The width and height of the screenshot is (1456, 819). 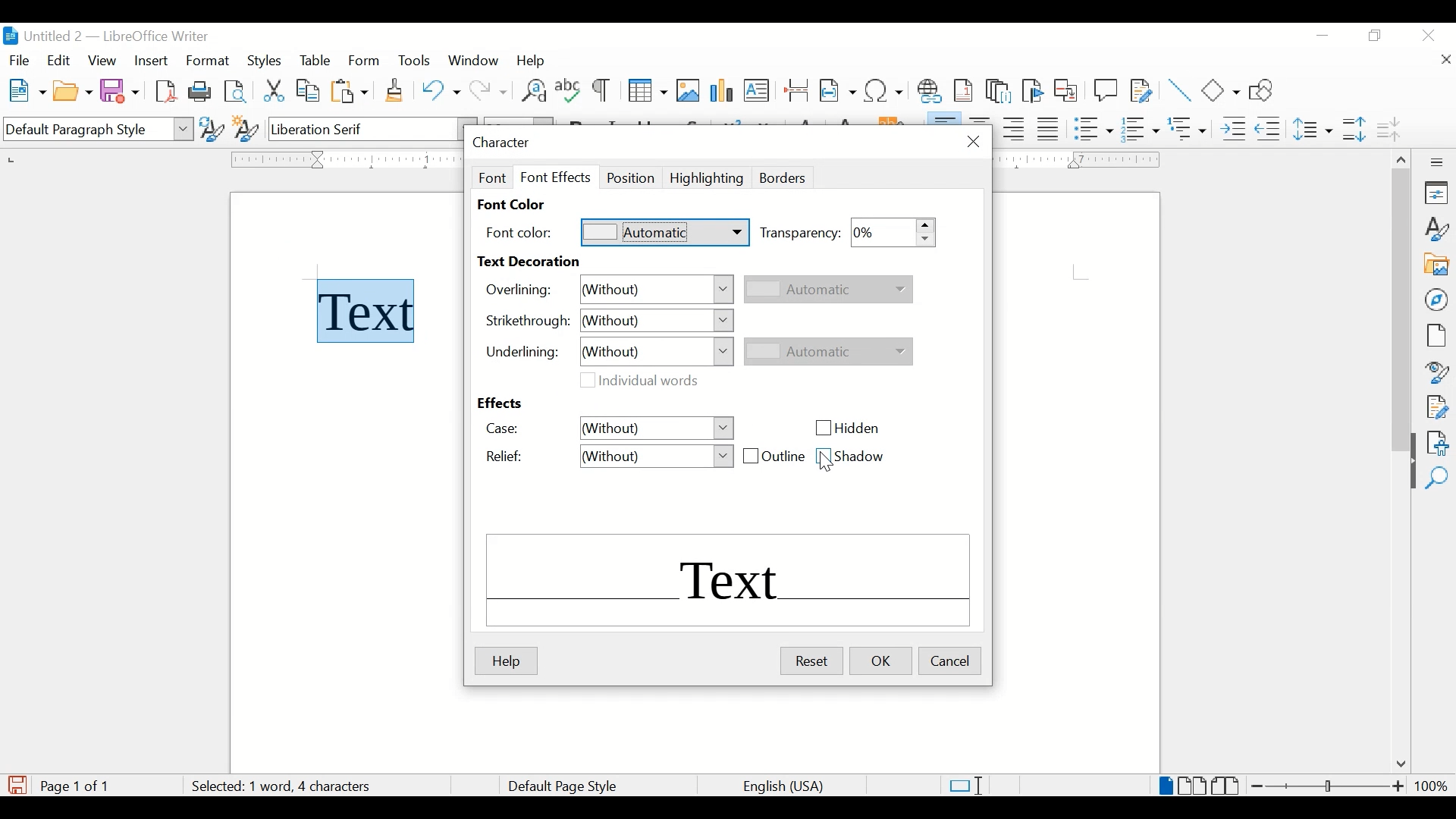 What do you see at coordinates (380, 309) in the screenshot?
I see `text` at bounding box center [380, 309].